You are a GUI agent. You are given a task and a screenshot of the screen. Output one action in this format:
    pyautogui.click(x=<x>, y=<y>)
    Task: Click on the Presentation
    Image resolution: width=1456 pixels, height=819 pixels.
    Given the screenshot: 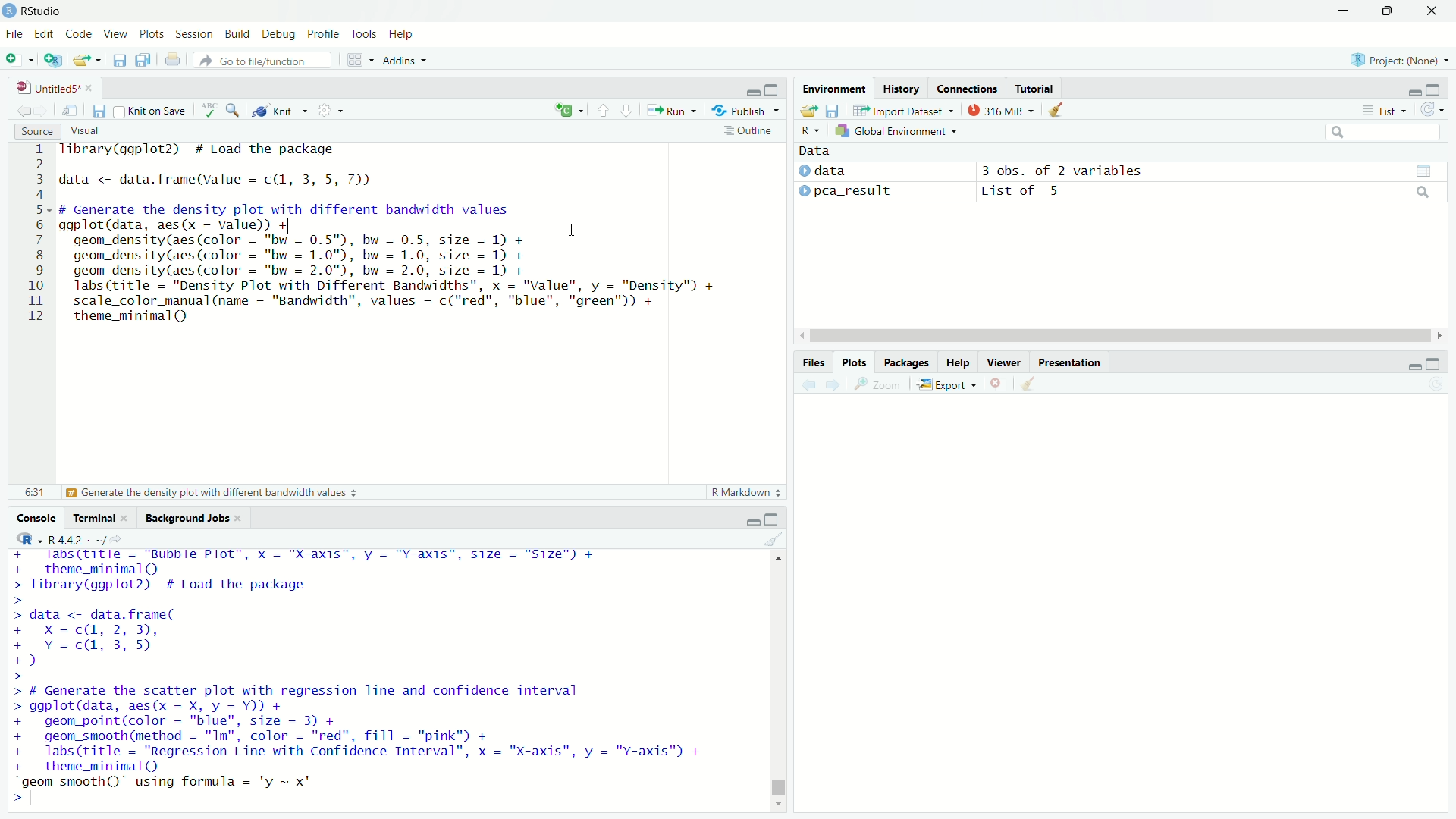 What is the action you would take?
    pyautogui.click(x=1069, y=362)
    